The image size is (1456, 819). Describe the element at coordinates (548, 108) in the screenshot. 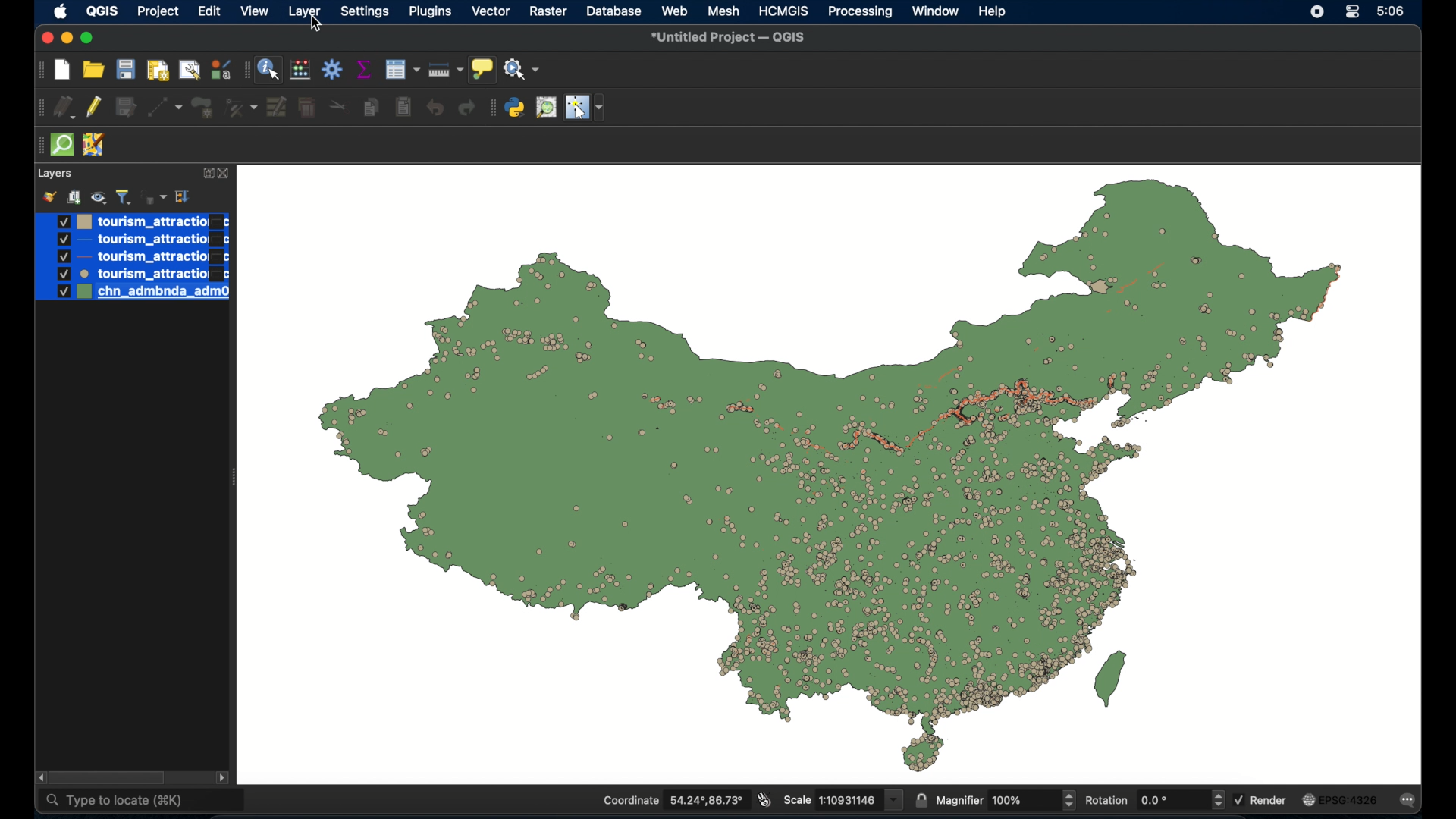

I see `osm place search` at that location.